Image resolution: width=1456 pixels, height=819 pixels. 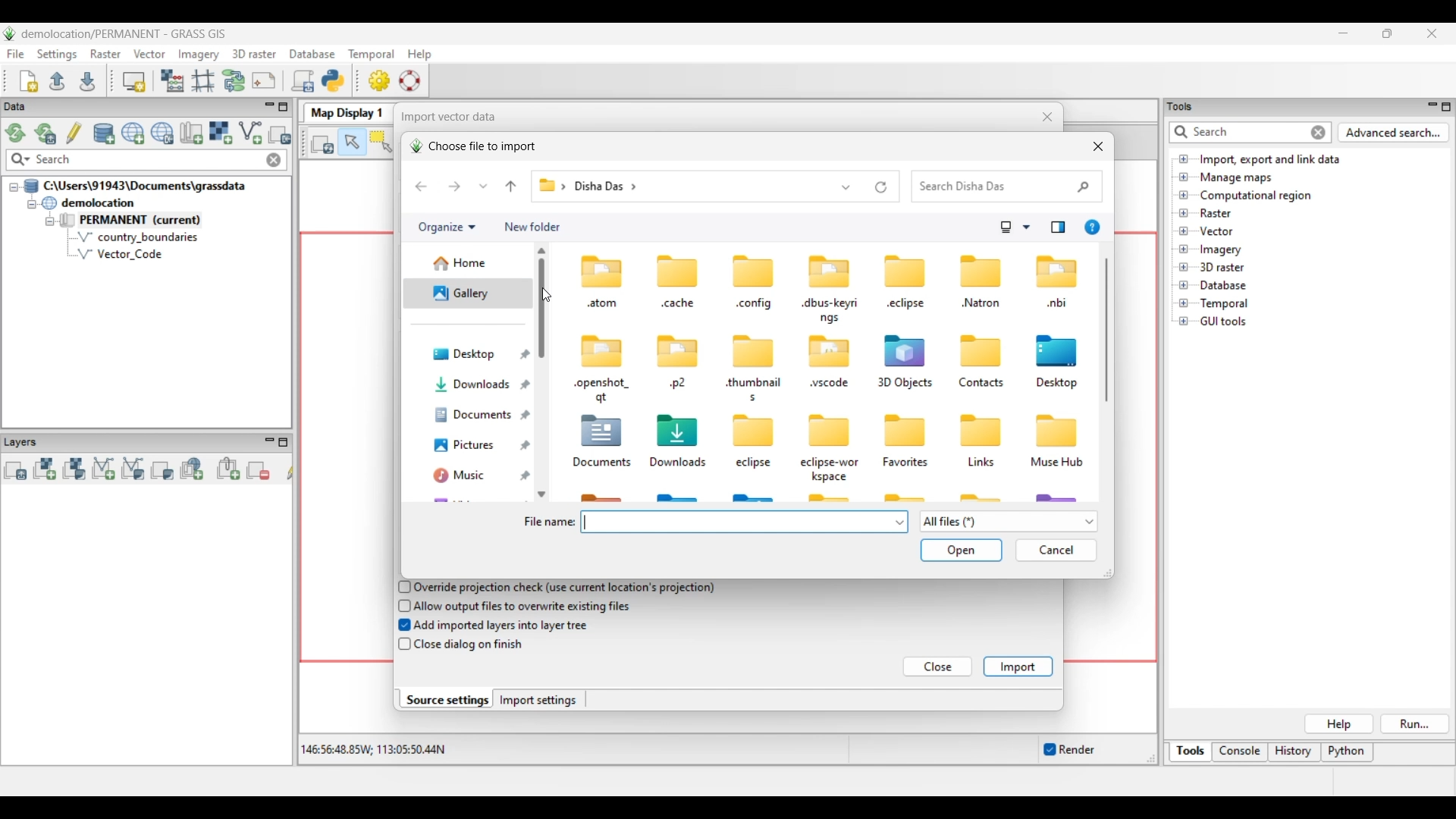 I want to click on Double click to collapse demolocation, so click(x=88, y=202).